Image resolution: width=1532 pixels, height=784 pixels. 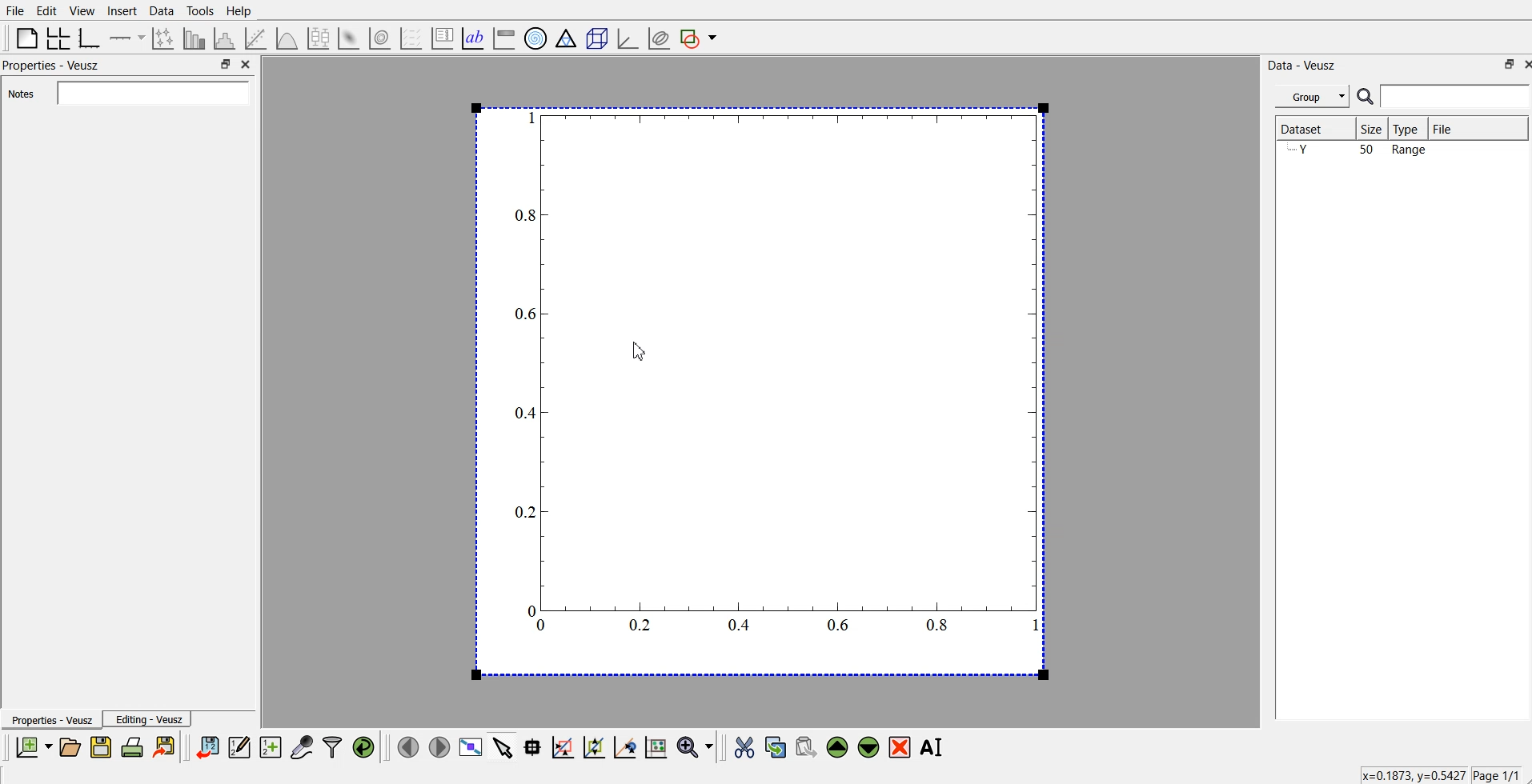 I want to click on Size, so click(x=1375, y=130).